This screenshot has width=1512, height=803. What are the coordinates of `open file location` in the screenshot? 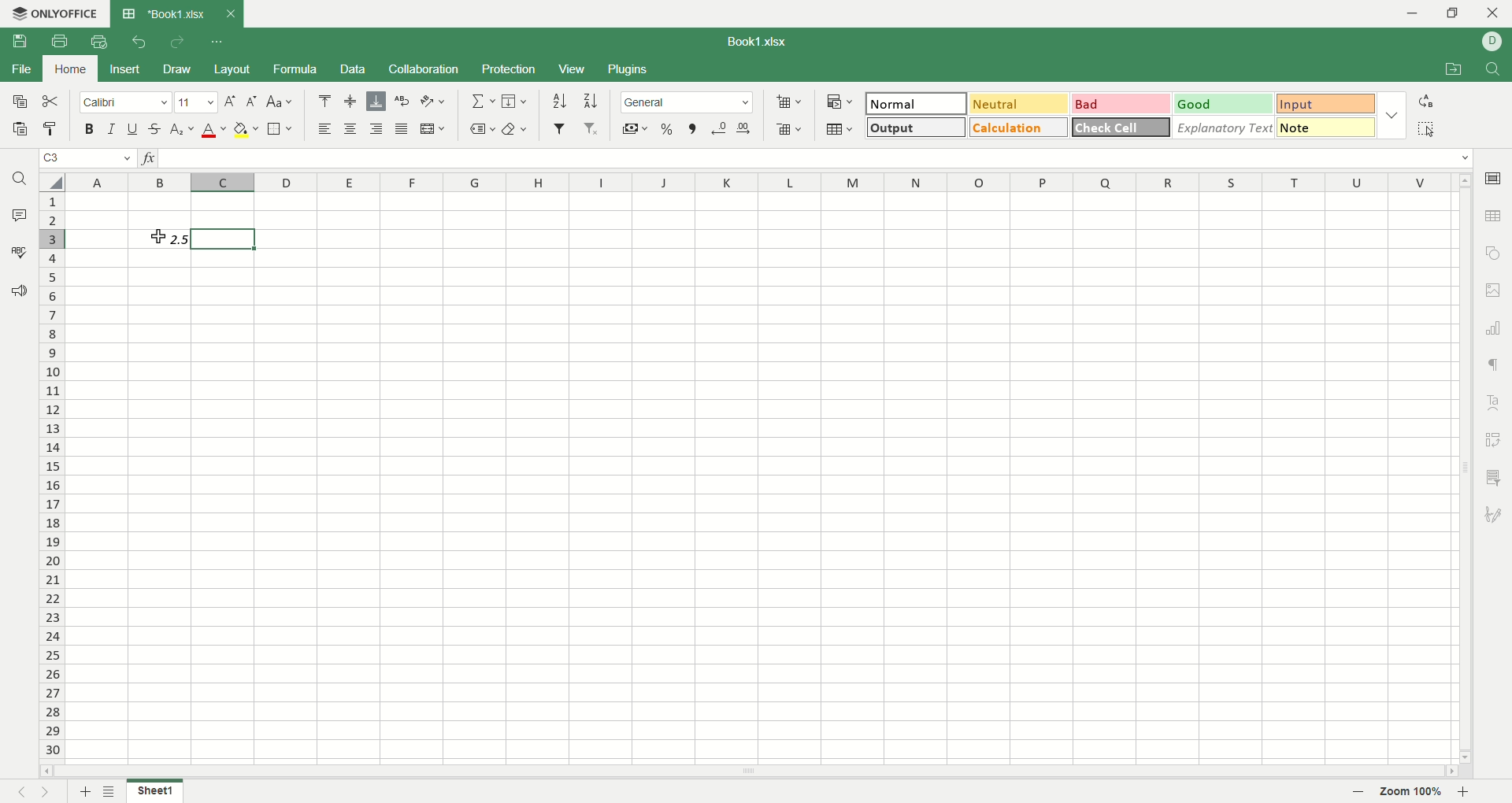 It's located at (1456, 70).